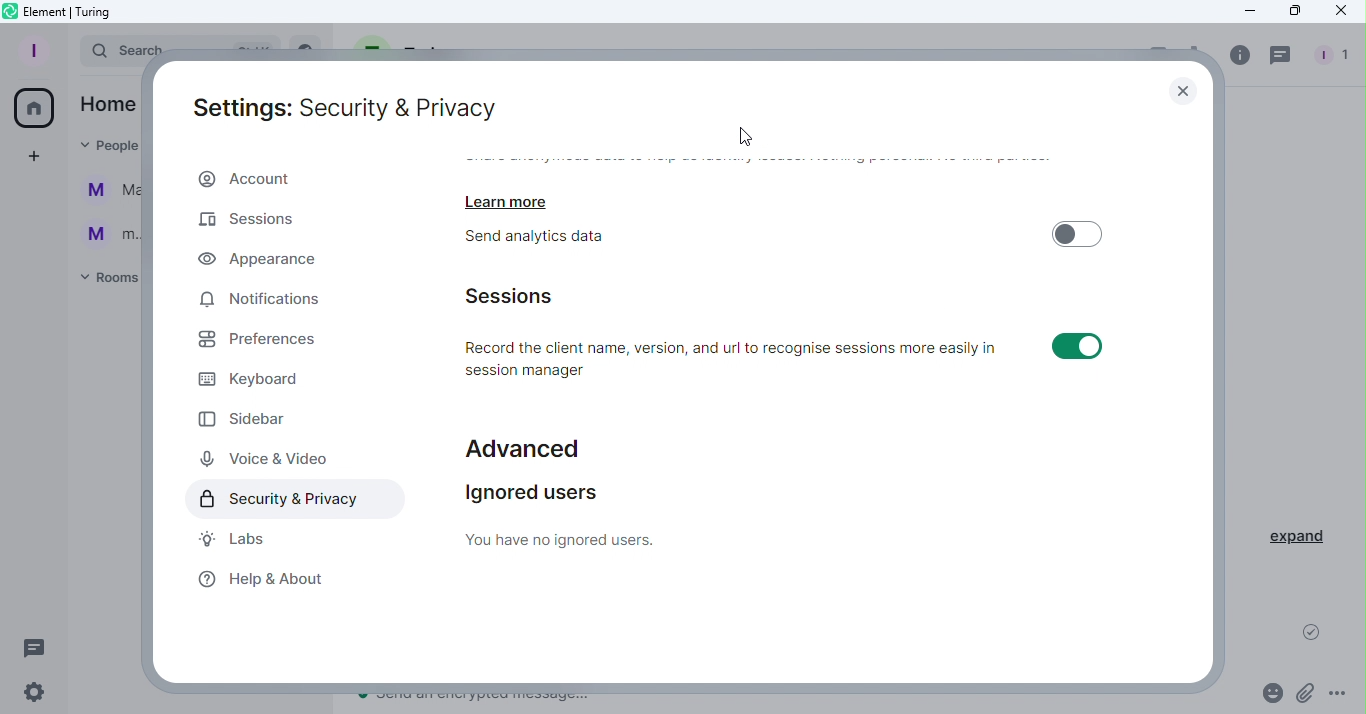 The image size is (1366, 714). What do you see at coordinates (1270, 692) in the screenshot?
I see `Emoji` at bounding box center [1270, 692].